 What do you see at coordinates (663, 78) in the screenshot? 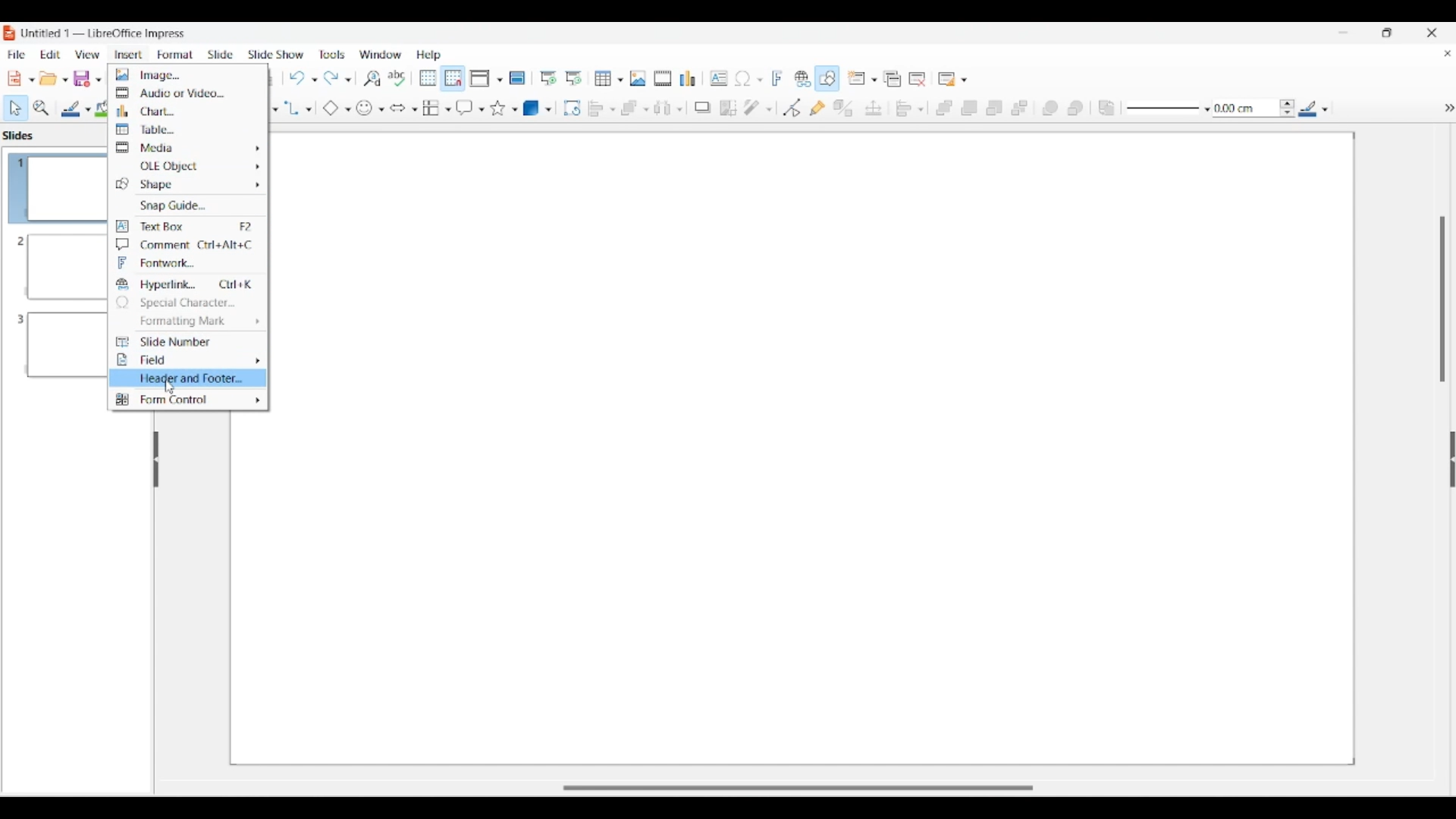
I see `Insert audio/video` at bounding box center [663, 78].